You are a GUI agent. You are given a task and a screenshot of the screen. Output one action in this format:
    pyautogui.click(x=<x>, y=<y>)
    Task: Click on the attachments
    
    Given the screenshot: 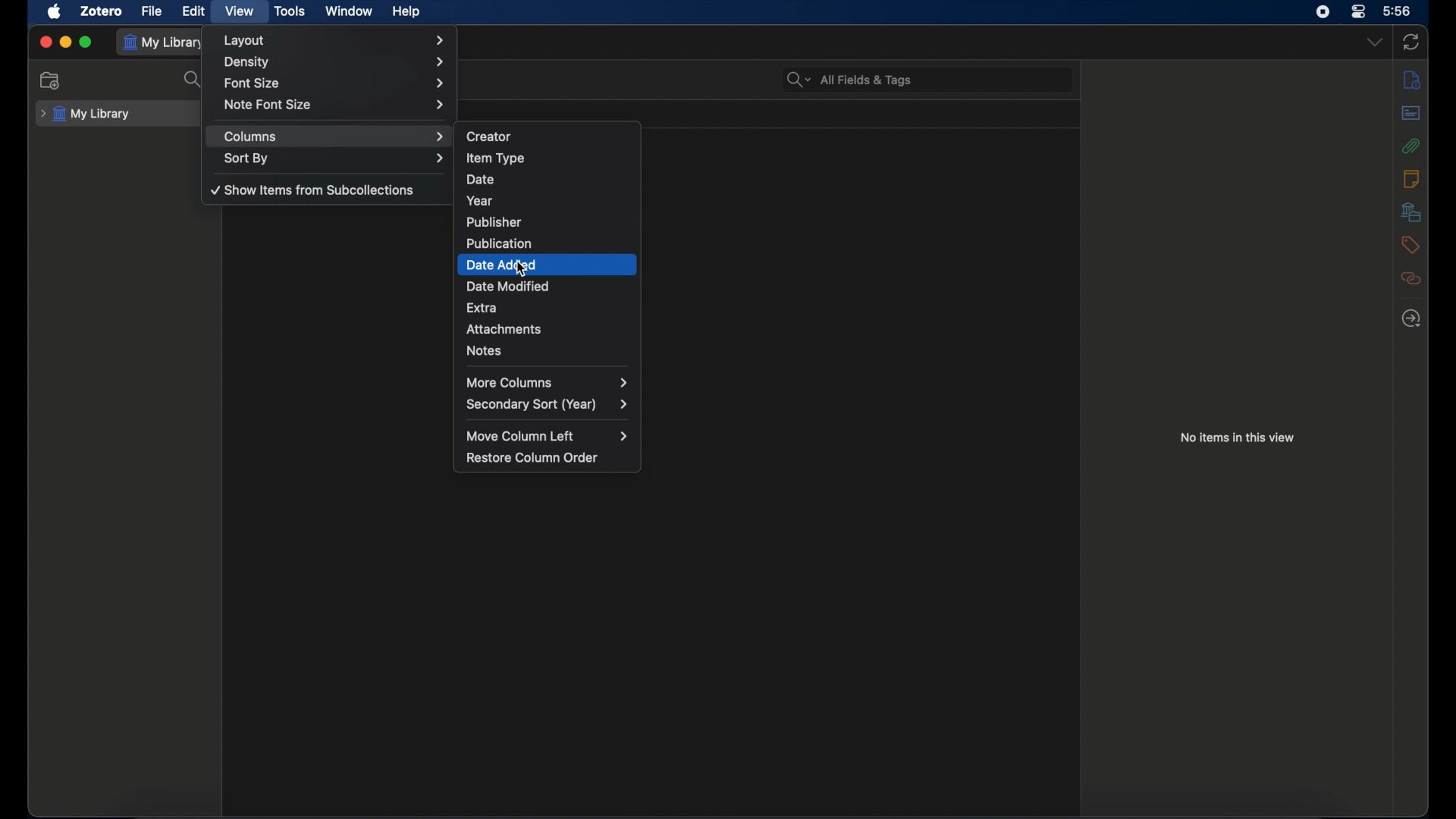 What is the action you would take?
    pyautogui.click(x=1410, y=146)
    